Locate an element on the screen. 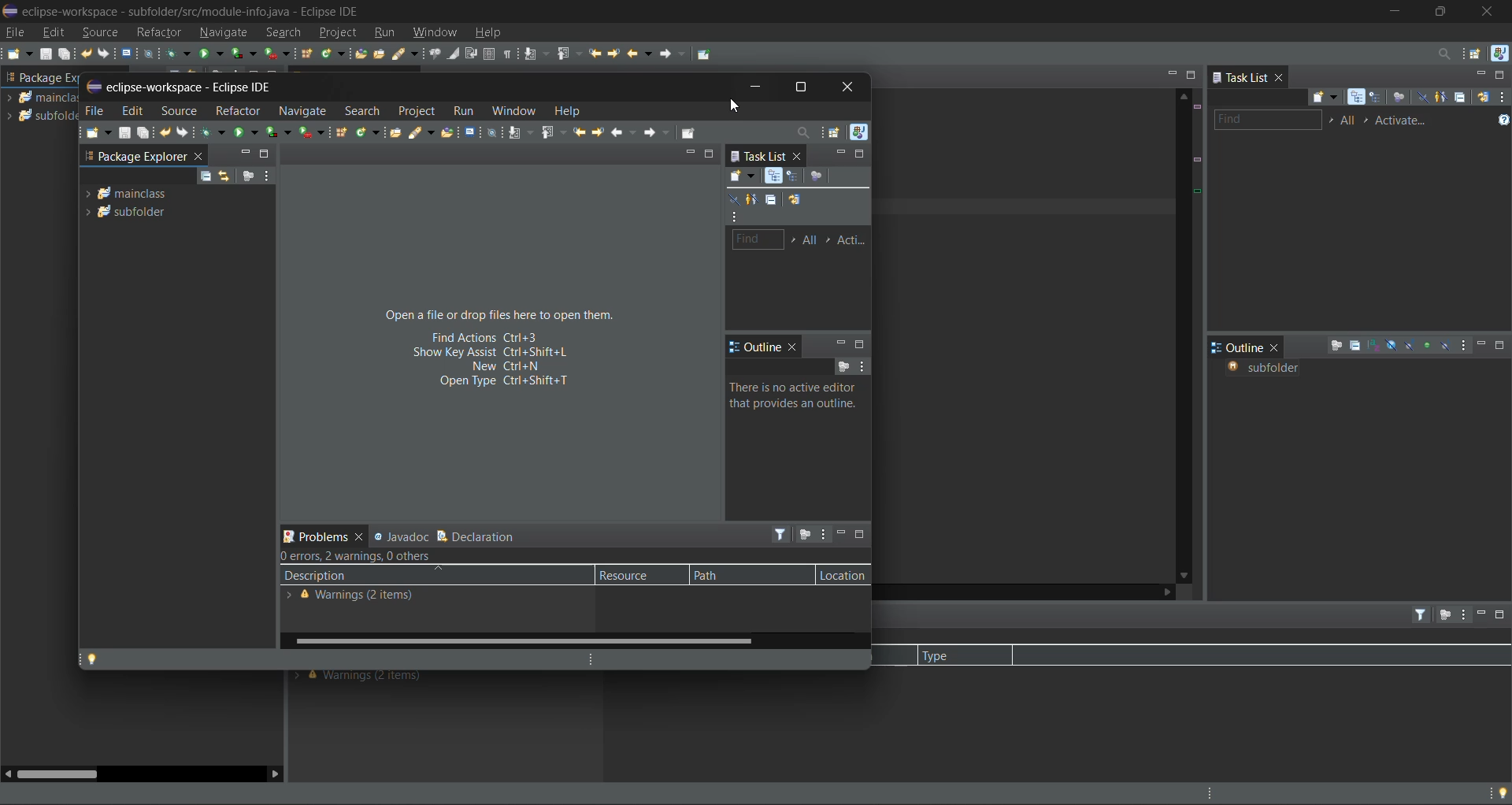 Image resolution: width=1512 pixels, height=805 pixels. previous edit location is located at coordinates (578, 135).